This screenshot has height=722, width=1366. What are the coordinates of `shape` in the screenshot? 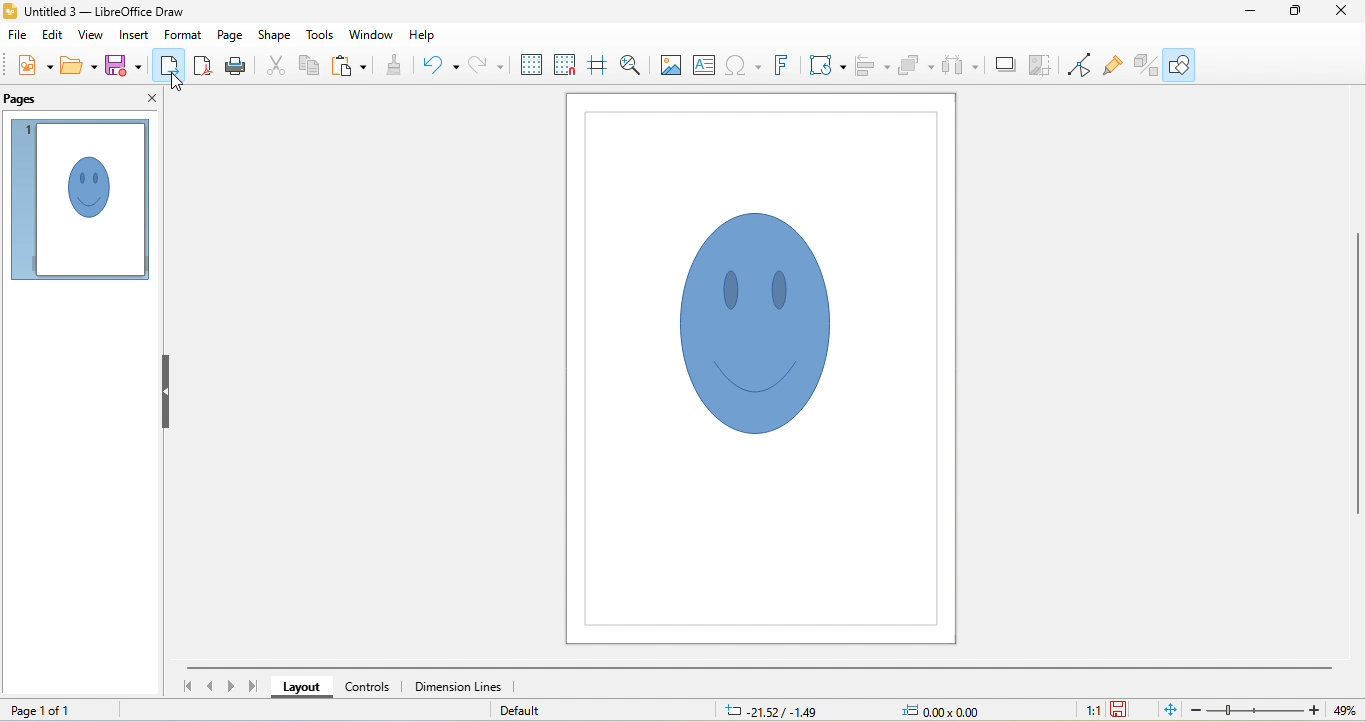 It's located at (273, 36).